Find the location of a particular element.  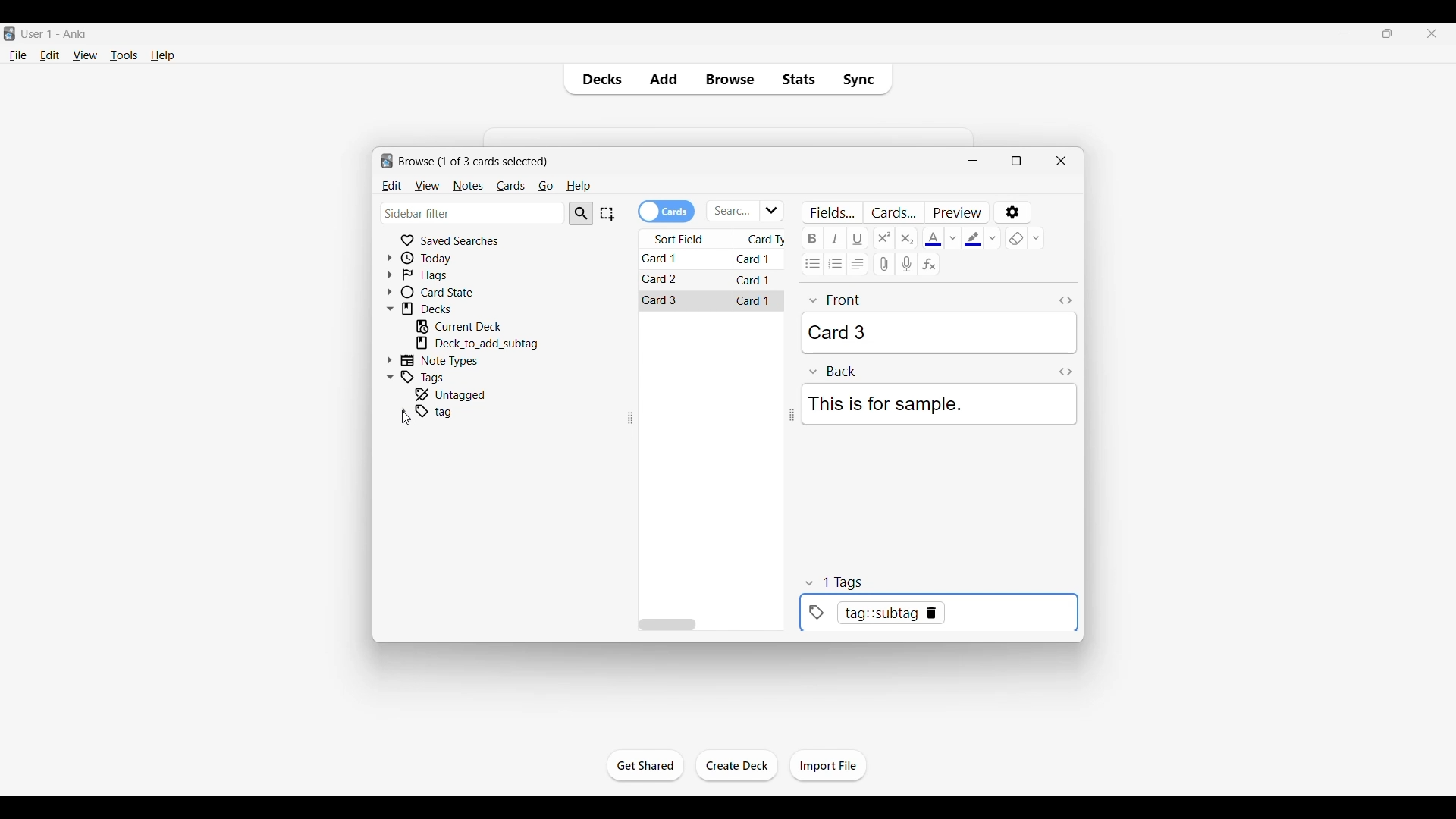

Sync is located at coordinates (862, 79).